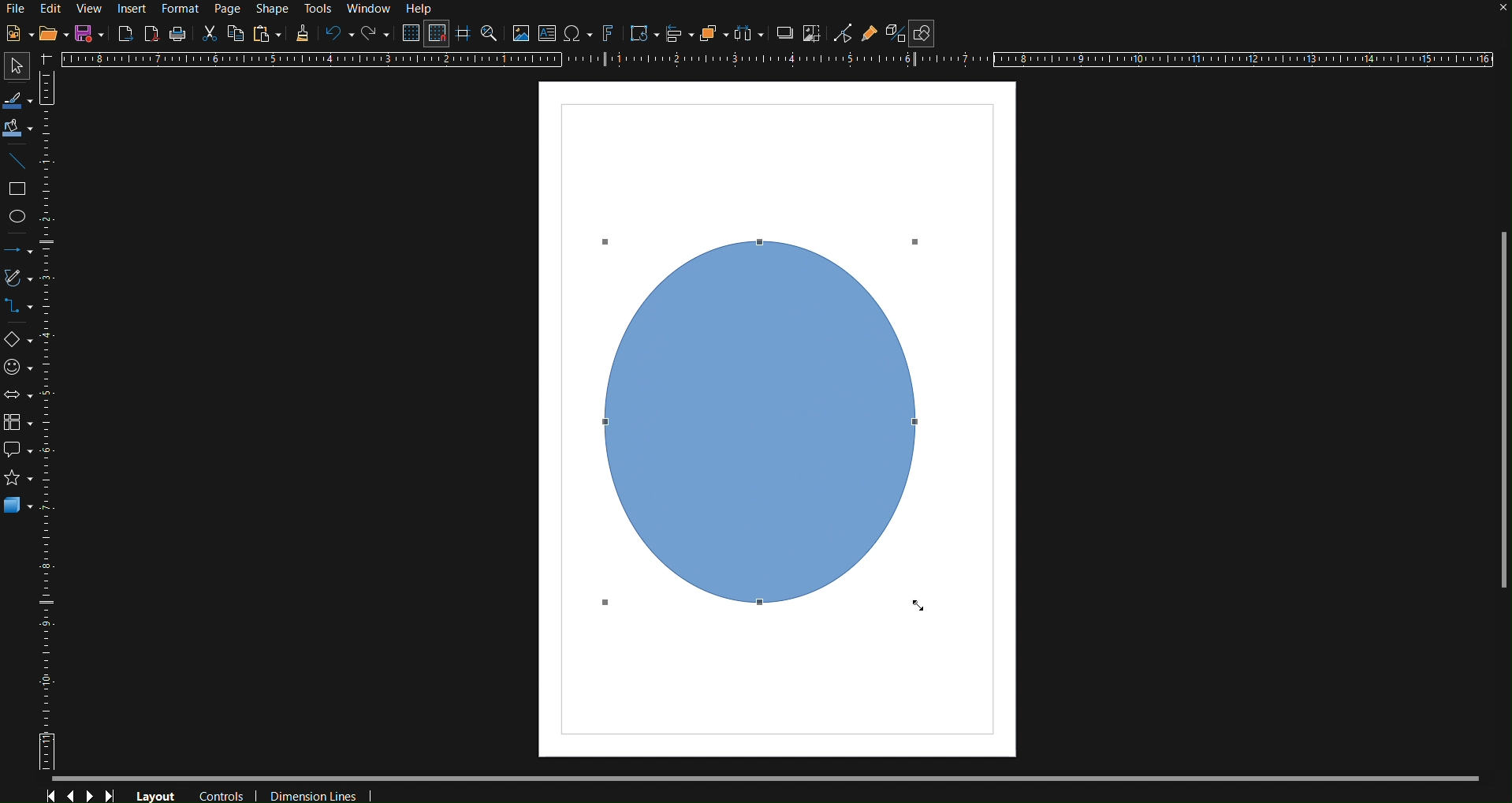 The height and width of the screenshot is (803, 1512). I want to click on Shape, so click(270, 9).